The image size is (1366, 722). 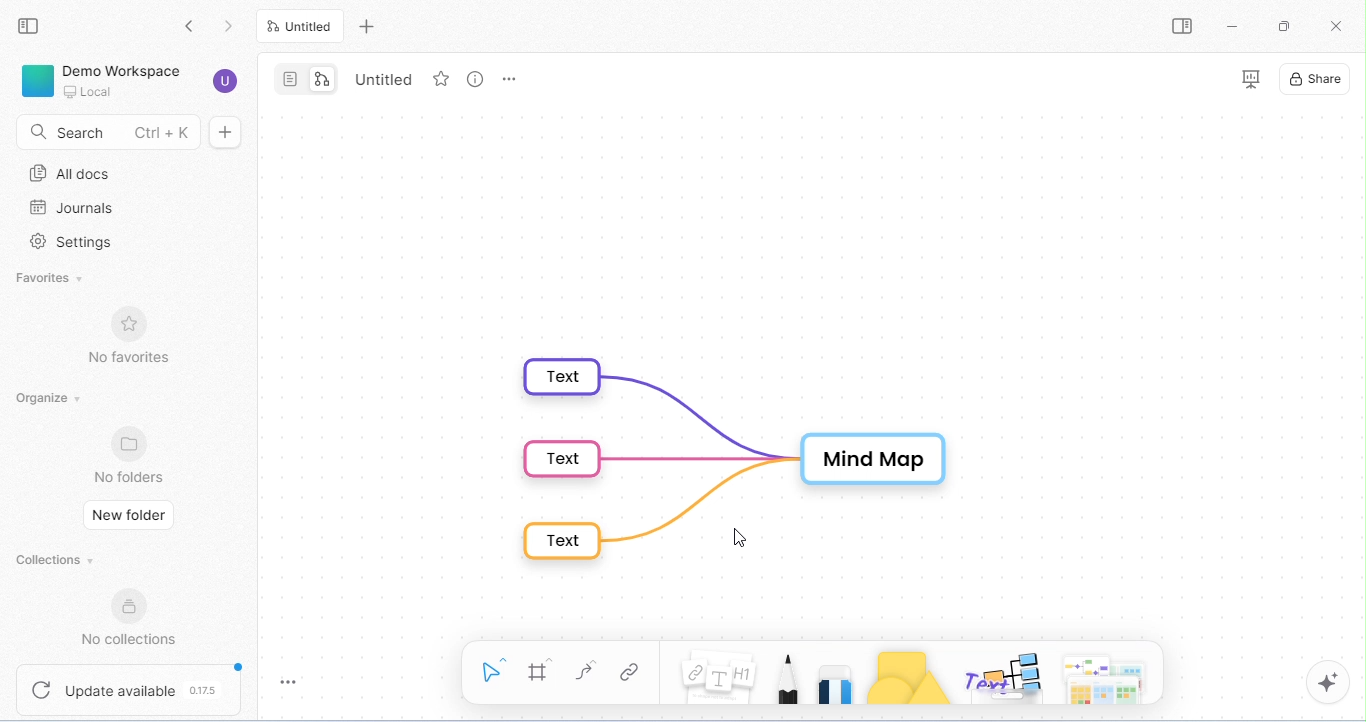 What do you see at coordinates (508, 80) in the screenshot?
I see `tab options` at bounding box center [508, 80].